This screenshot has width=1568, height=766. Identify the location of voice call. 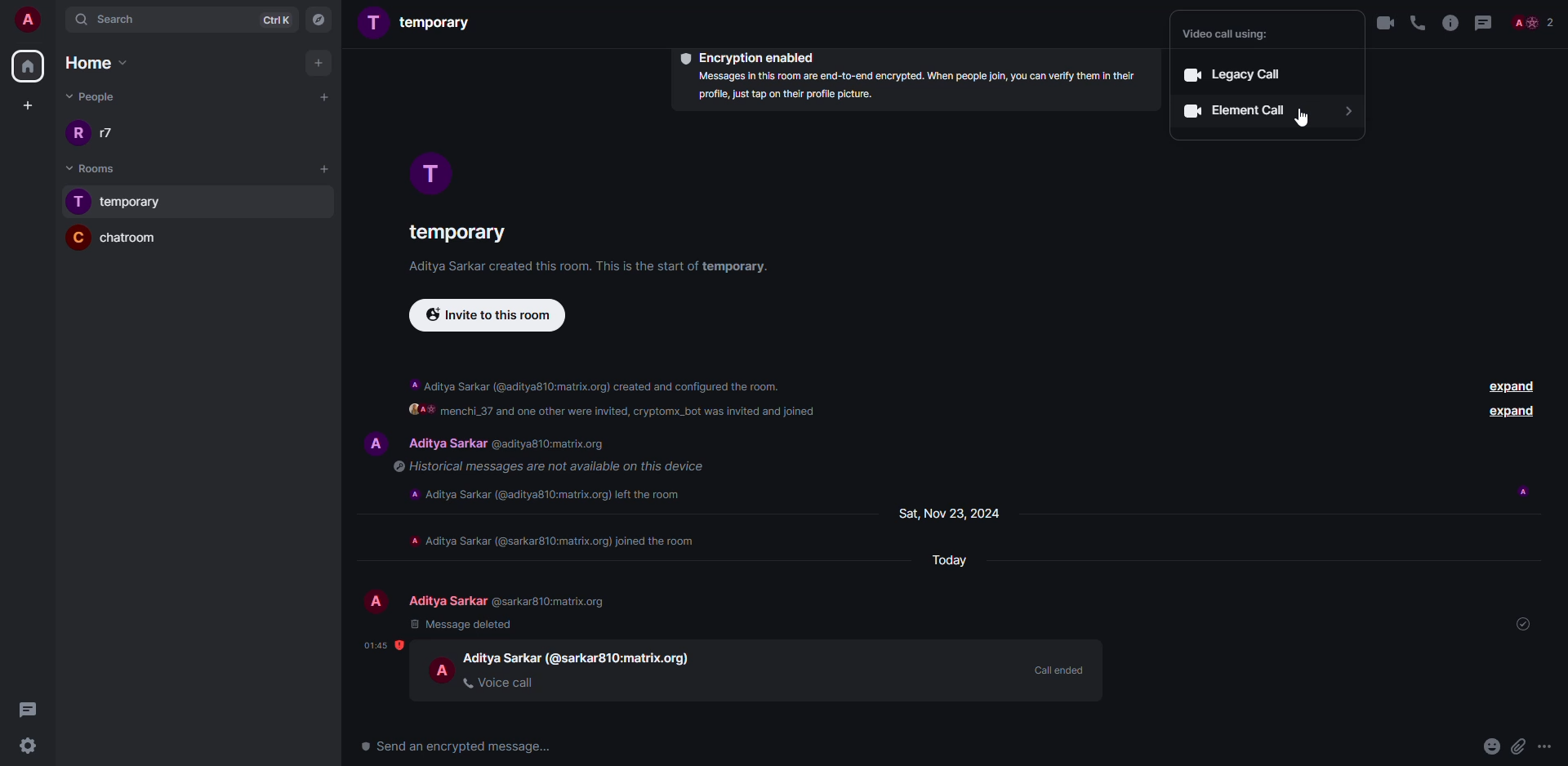
(1417, 23).